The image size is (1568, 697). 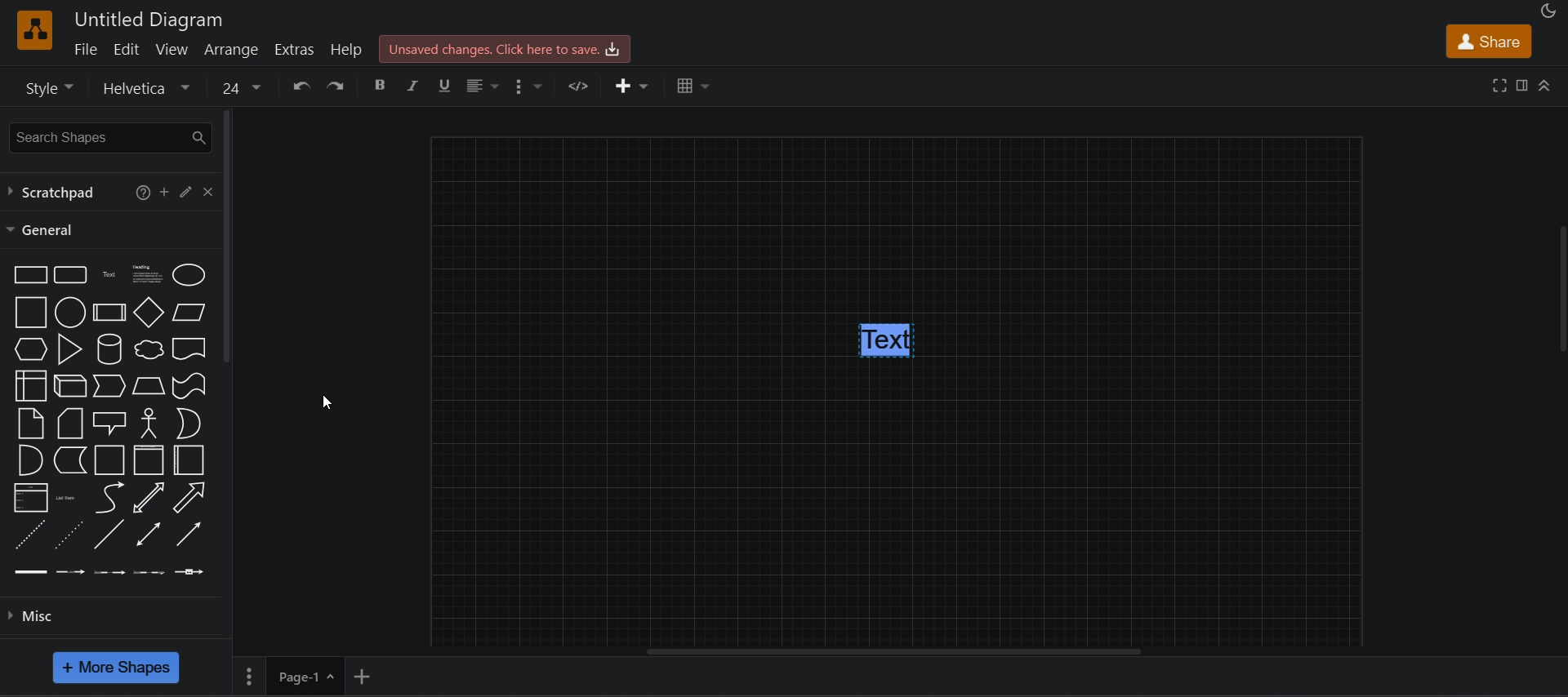 What do you see at coordinates (292, 676) in the screenshot?
I see `Page-1` at bounding box center [292, 676].